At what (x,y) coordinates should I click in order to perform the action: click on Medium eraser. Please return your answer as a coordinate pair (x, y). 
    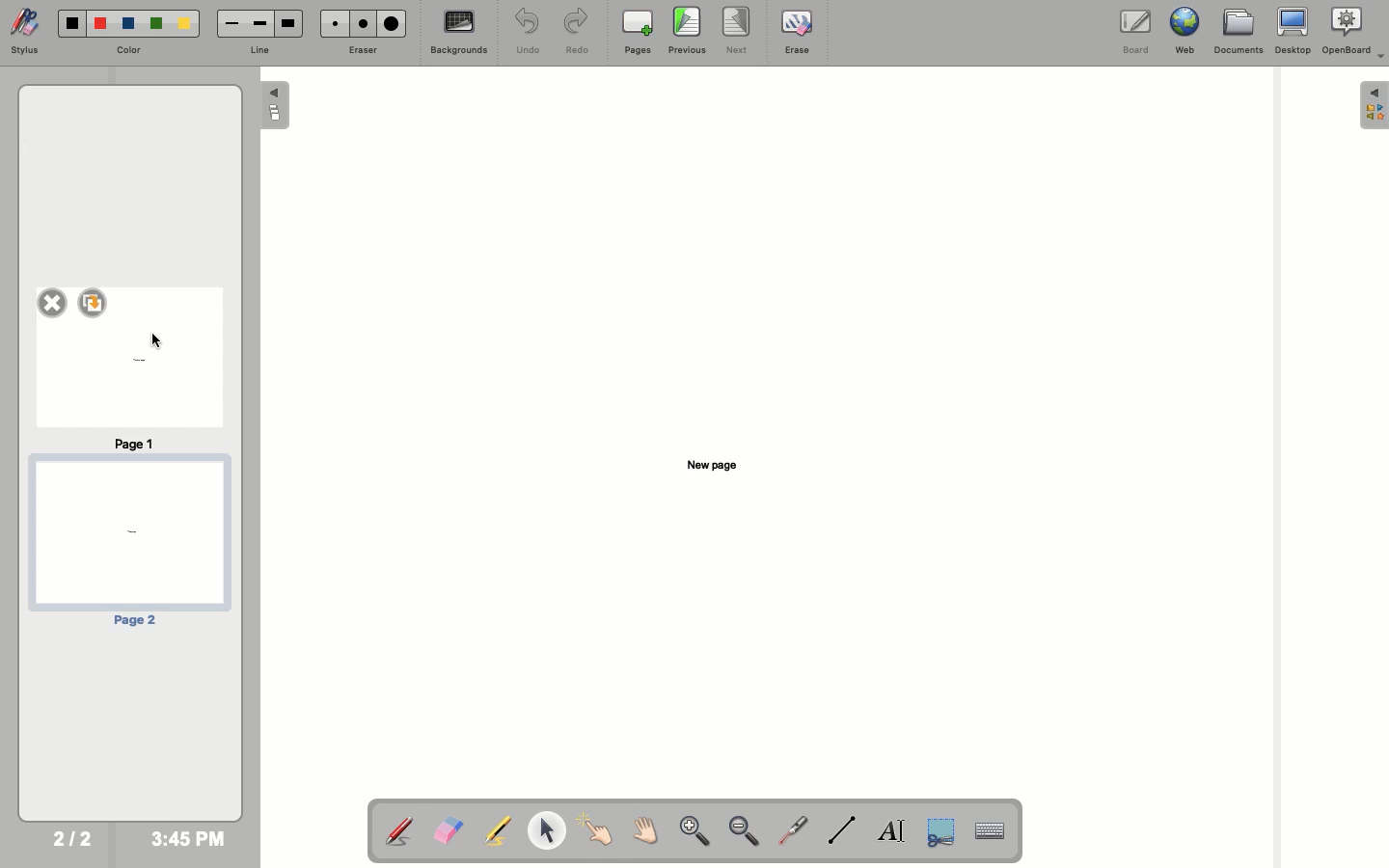
    Looking at the image, I should click on (360, 23).